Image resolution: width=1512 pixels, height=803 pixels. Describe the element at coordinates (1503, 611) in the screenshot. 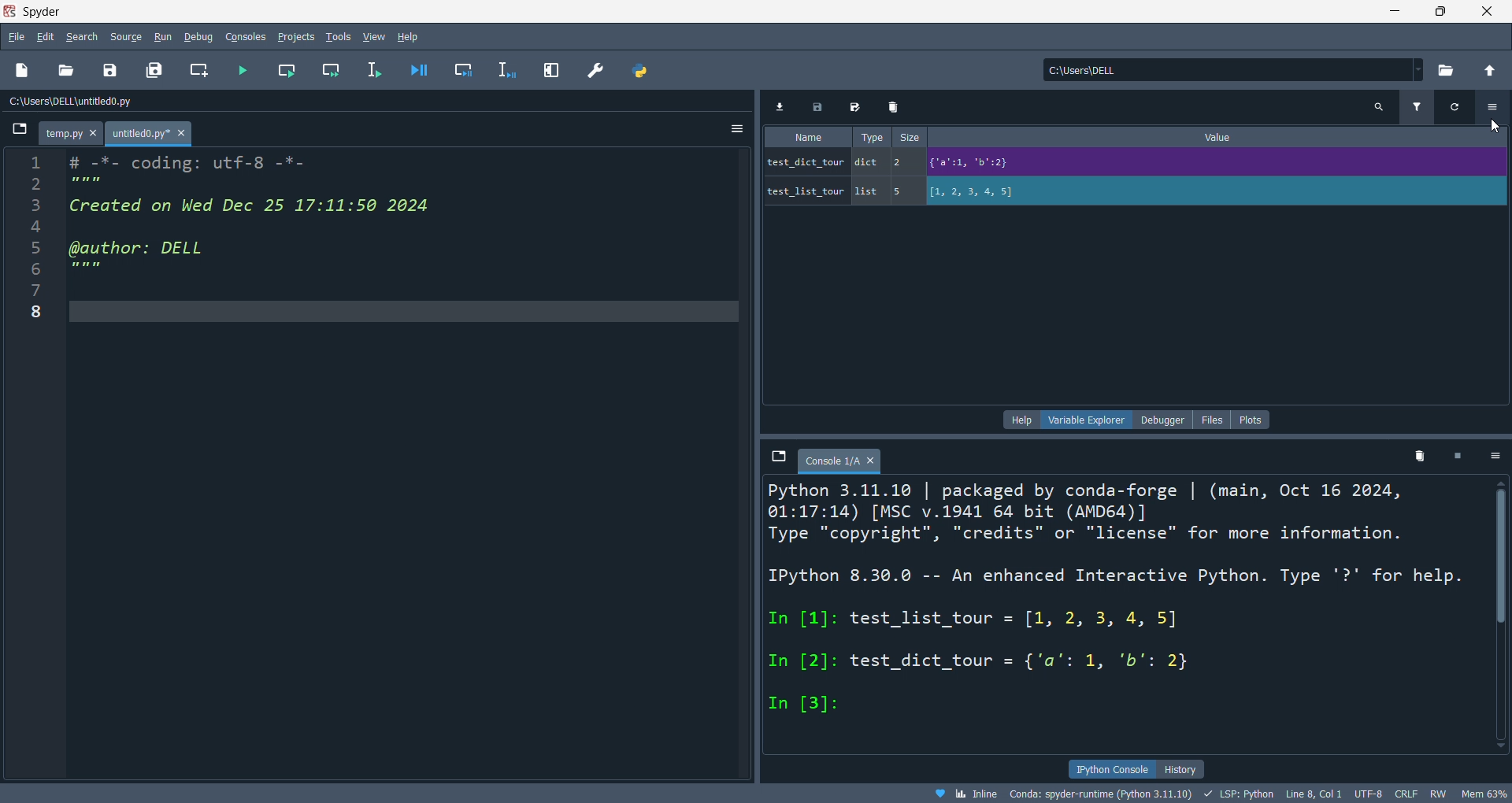

I see `vertical scroll bar` at that location.